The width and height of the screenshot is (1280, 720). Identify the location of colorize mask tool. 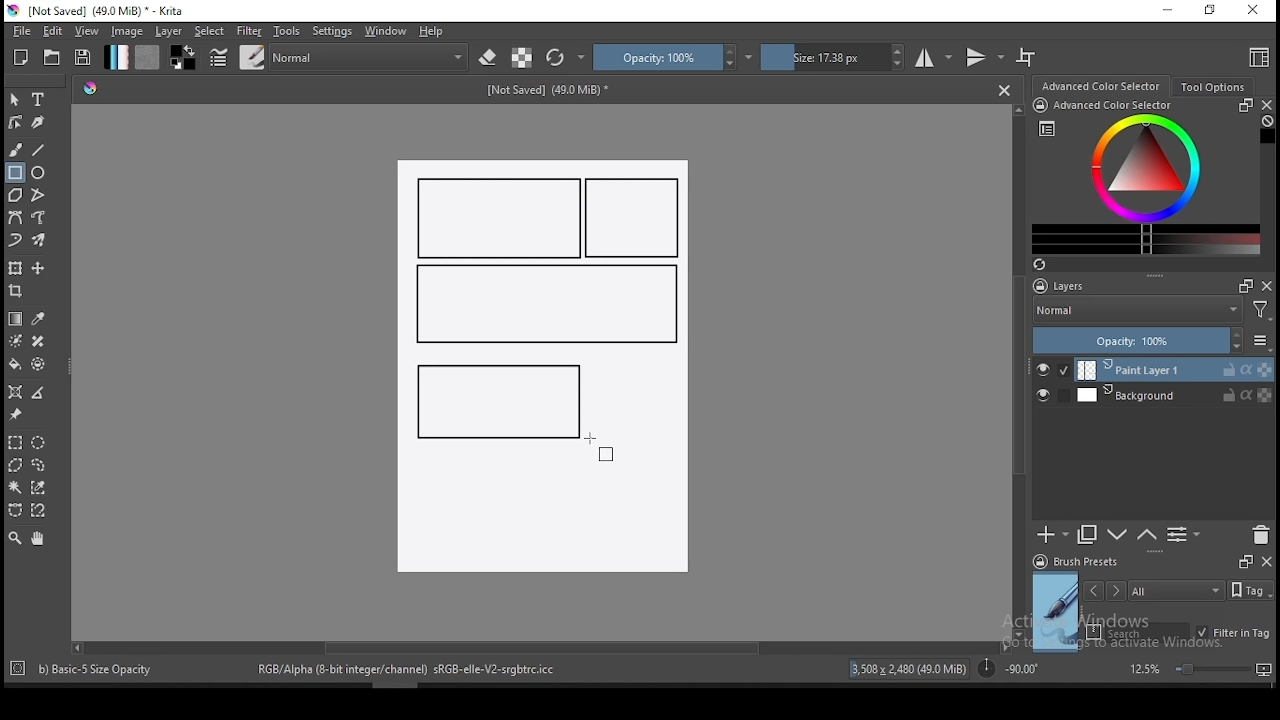
(17, 341).